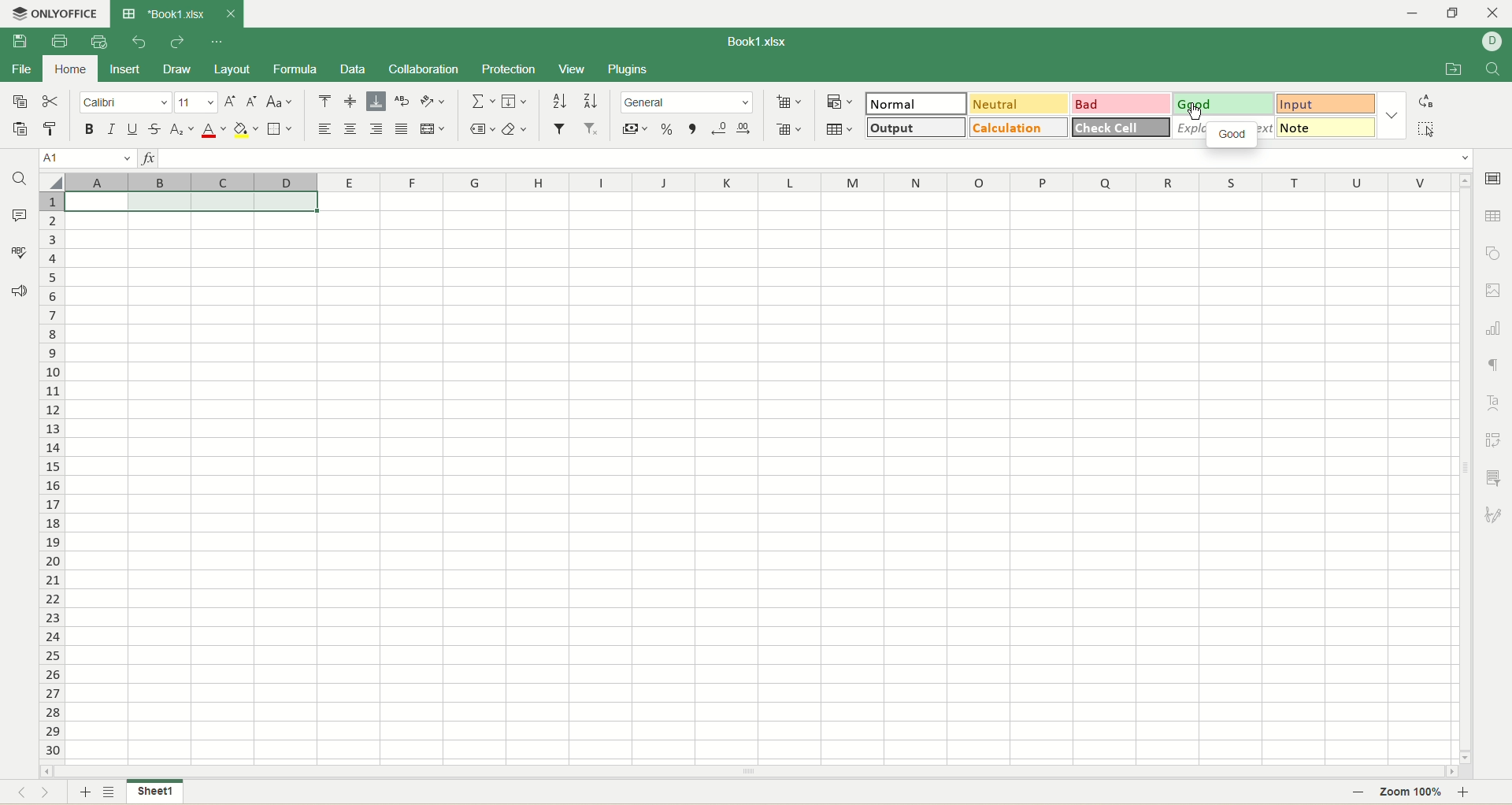  I want to click on previous, so click(18, 794).